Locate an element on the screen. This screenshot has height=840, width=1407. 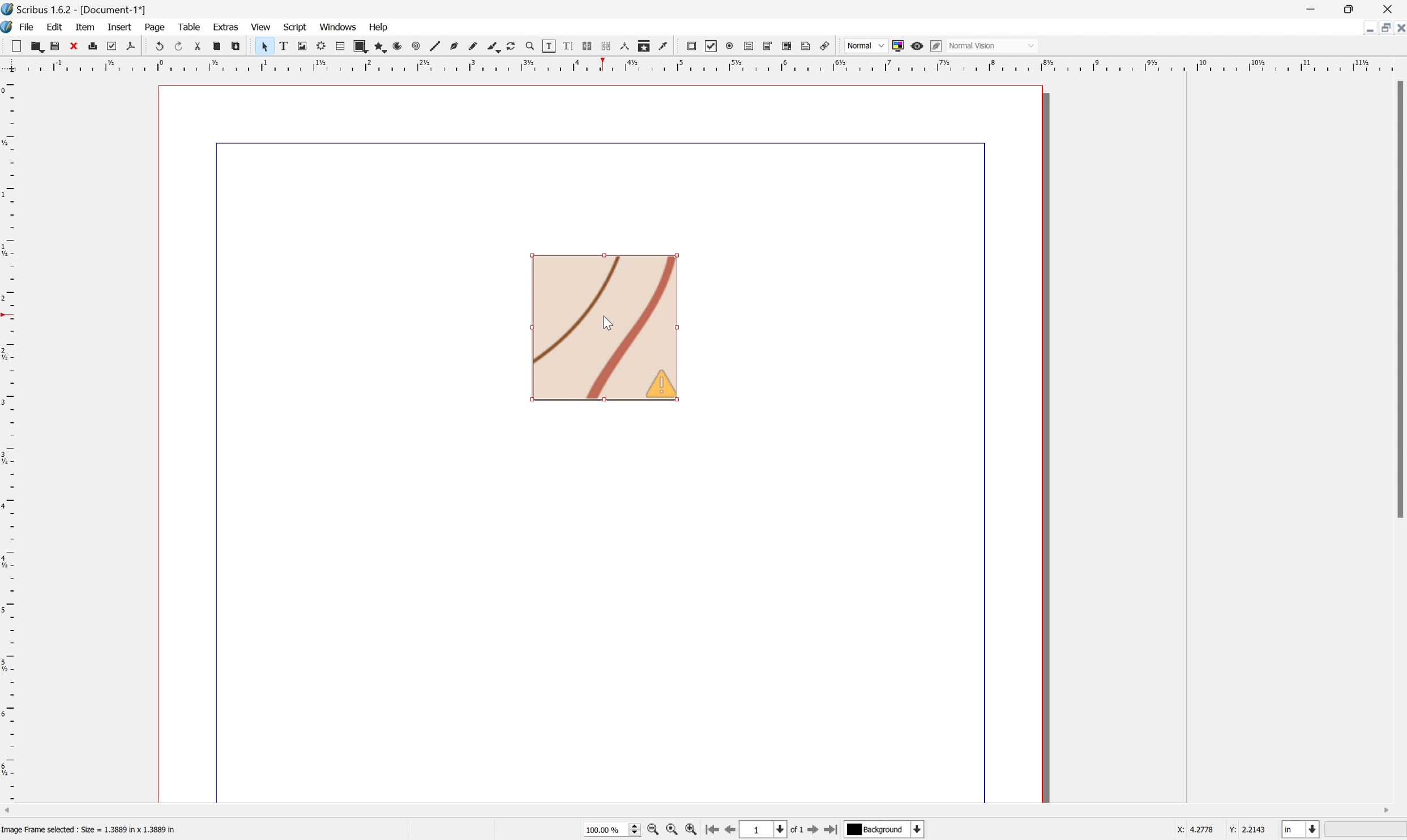
Toggle color management is located at coordinates (899, 45).